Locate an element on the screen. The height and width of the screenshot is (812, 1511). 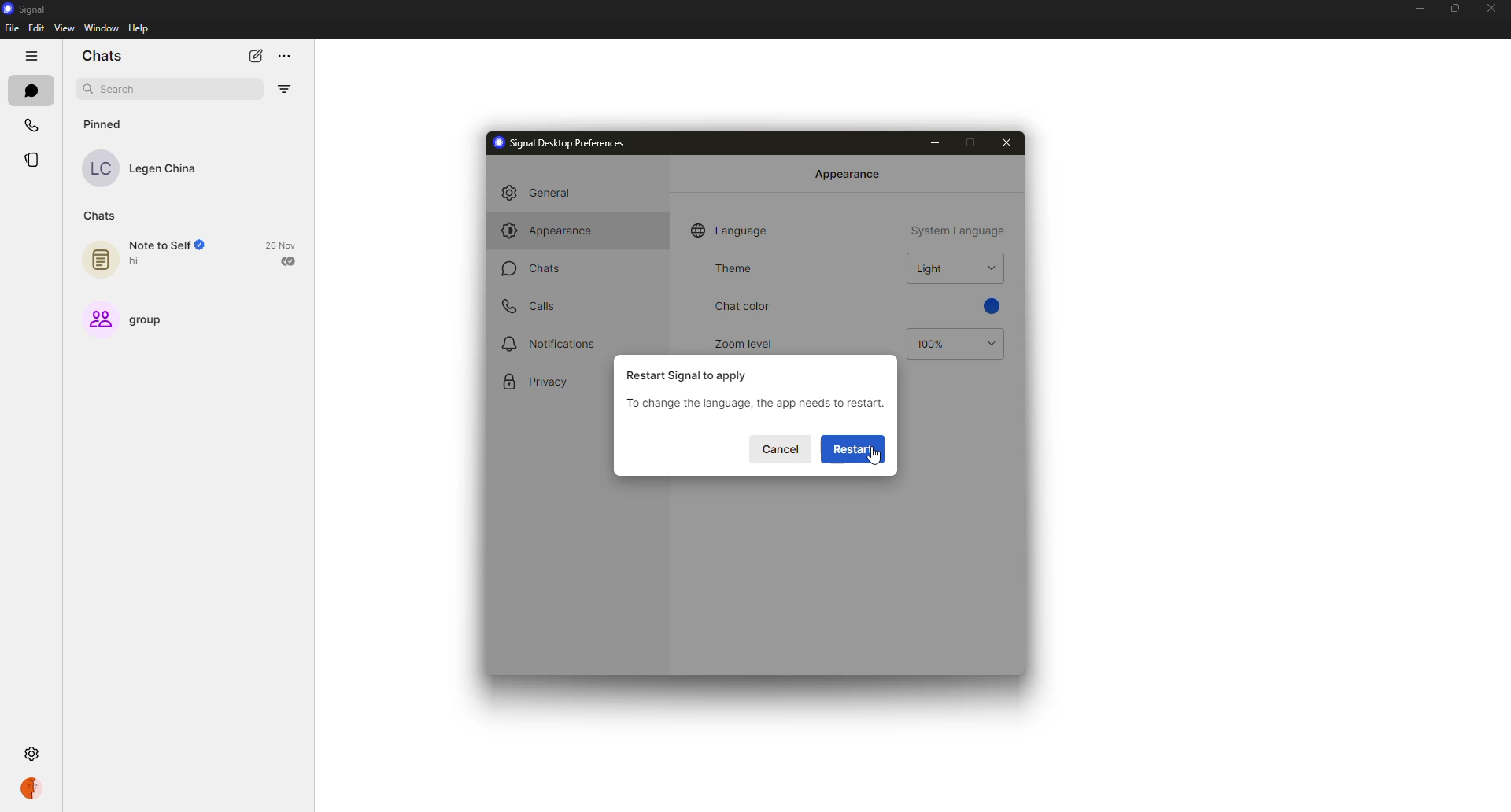
chats is located at coordinates (534, 268).